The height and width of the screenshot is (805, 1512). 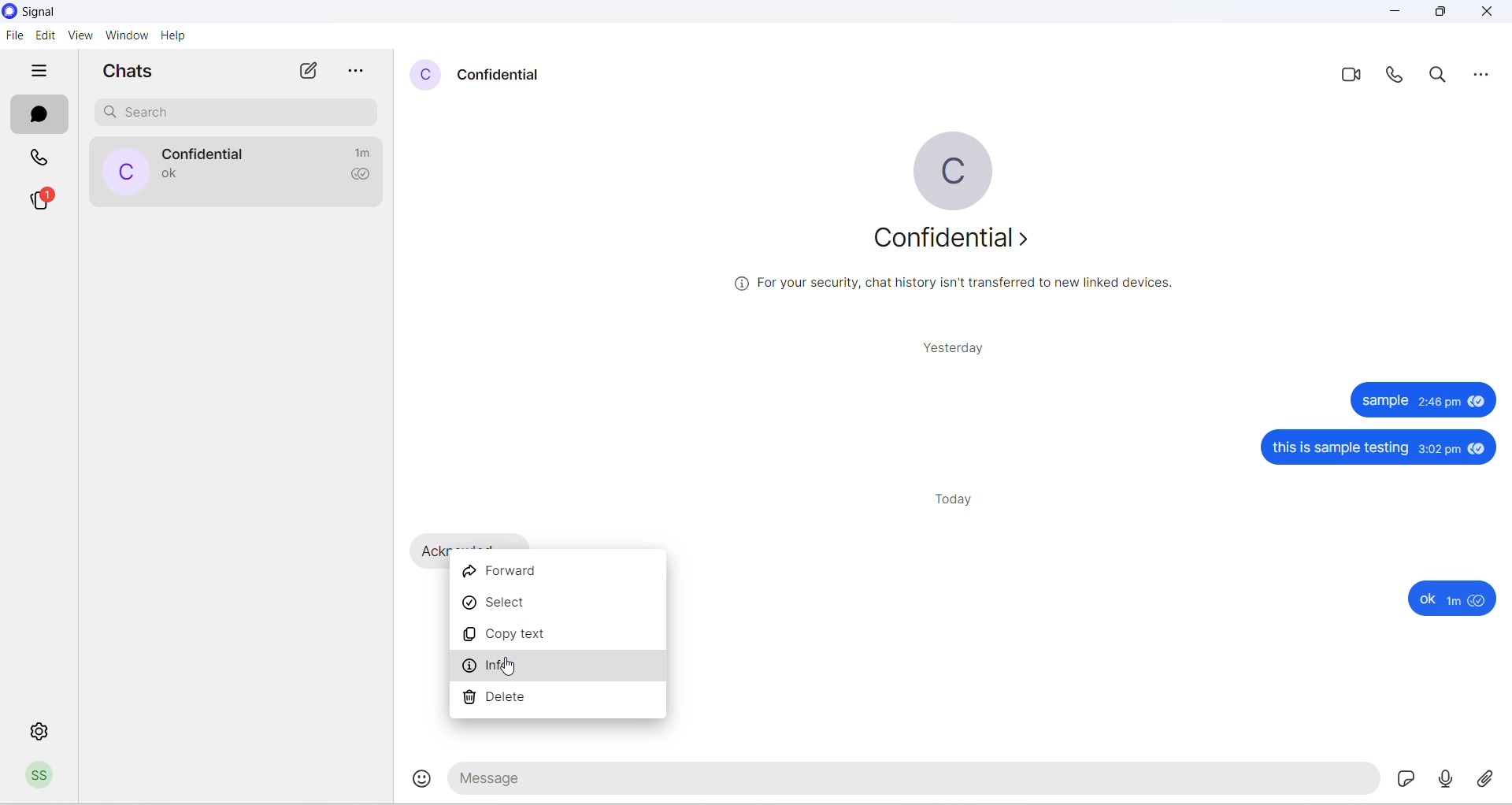 I want to click on yesterday heading, so click(x=951, y=347).